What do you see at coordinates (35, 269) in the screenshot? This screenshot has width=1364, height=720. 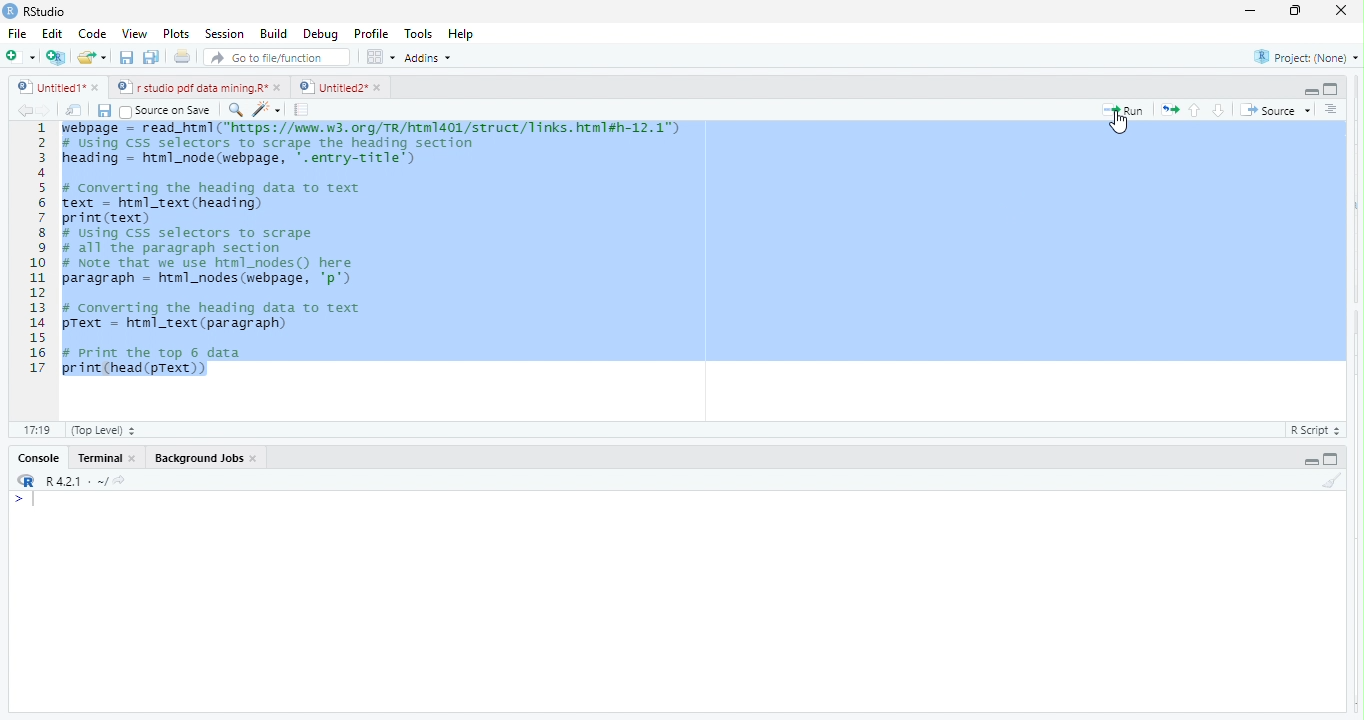 I see `1
2
3
a
5
6
7
H
9
10
11
12
13
14
15
16
17
18
19
20` at bounding box center [35, 269].